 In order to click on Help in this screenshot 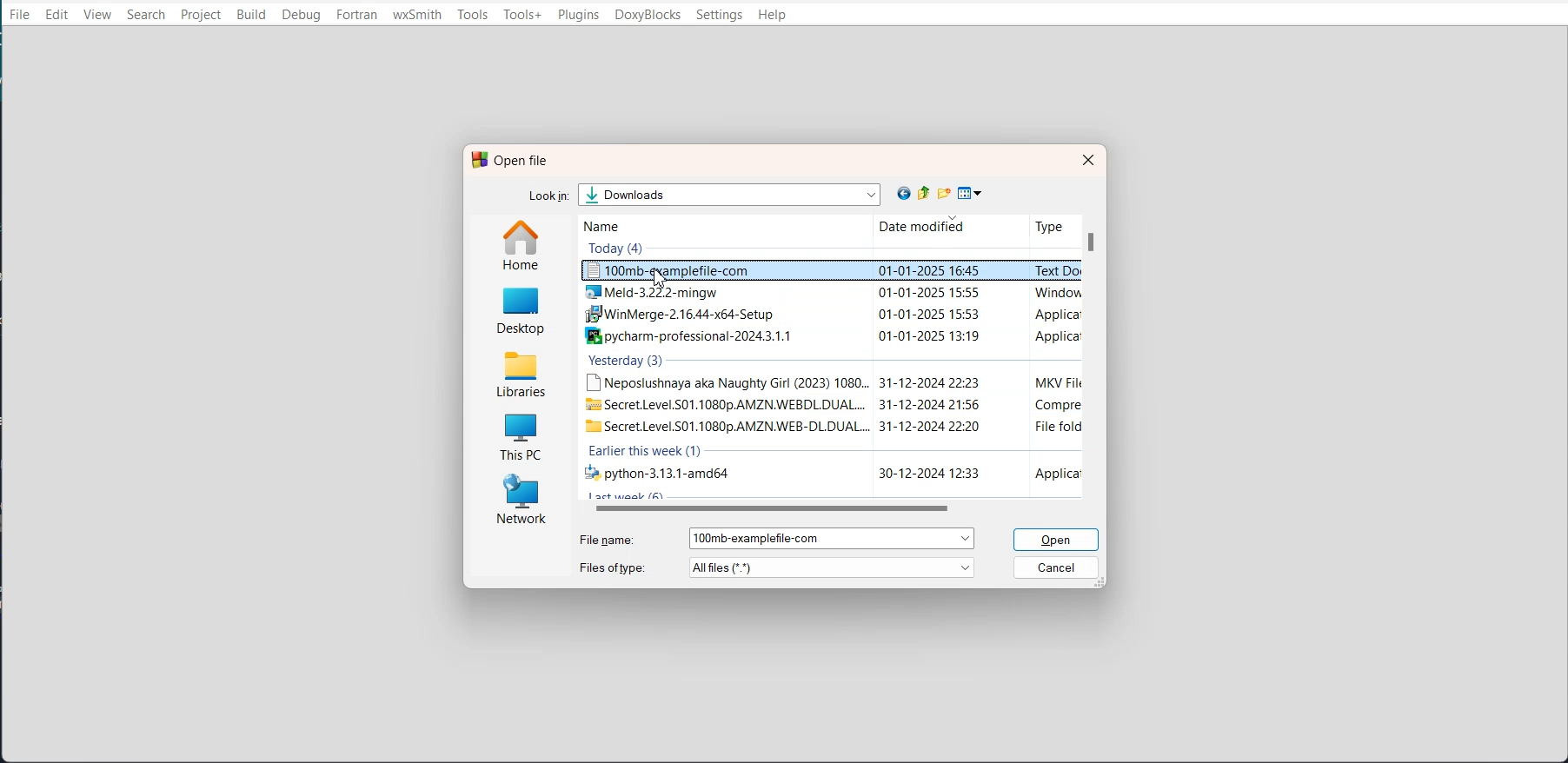, I will do `click(773, 16)`.